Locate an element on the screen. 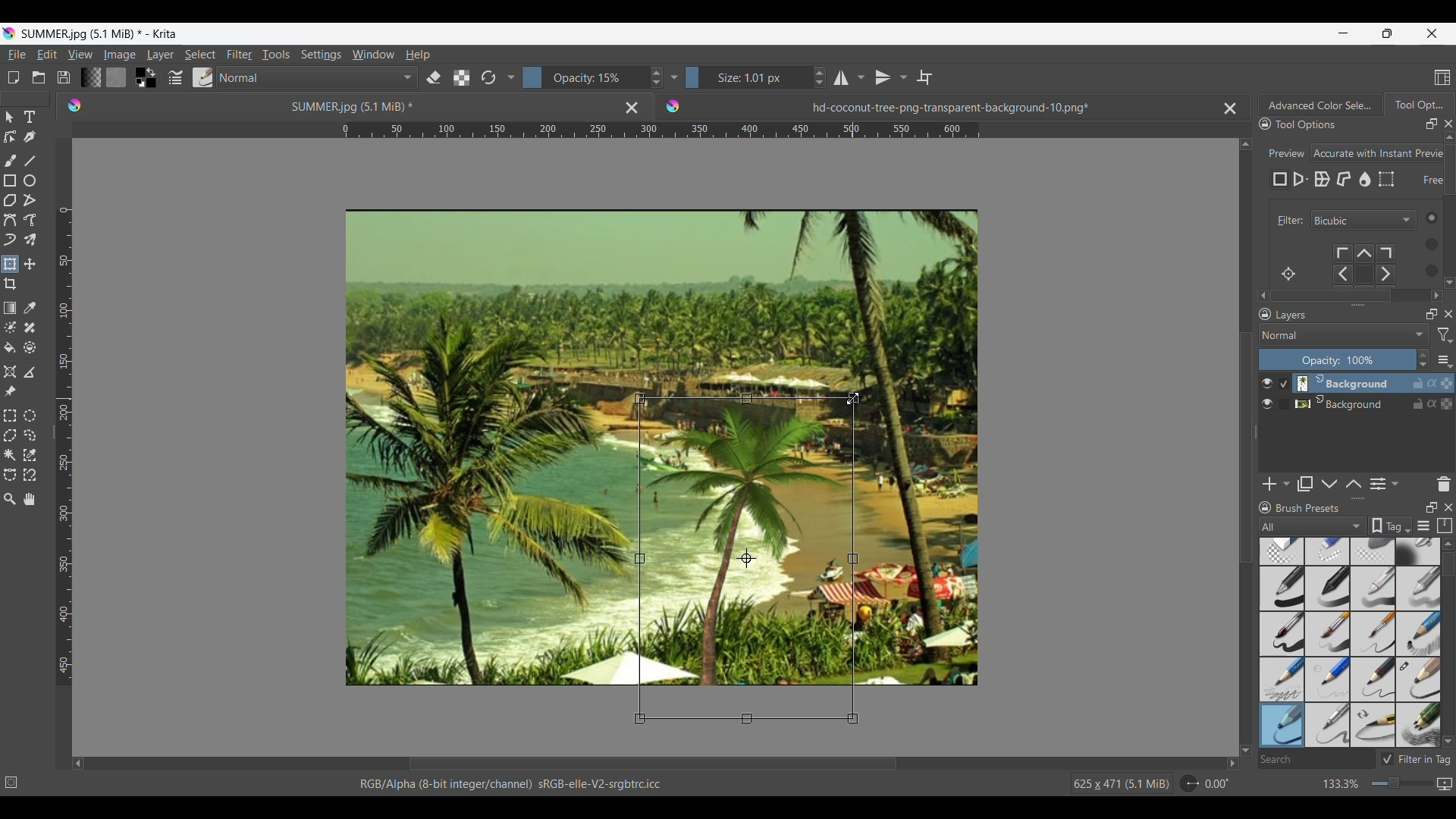  Reload original preset is located at coordinates (488, 77).